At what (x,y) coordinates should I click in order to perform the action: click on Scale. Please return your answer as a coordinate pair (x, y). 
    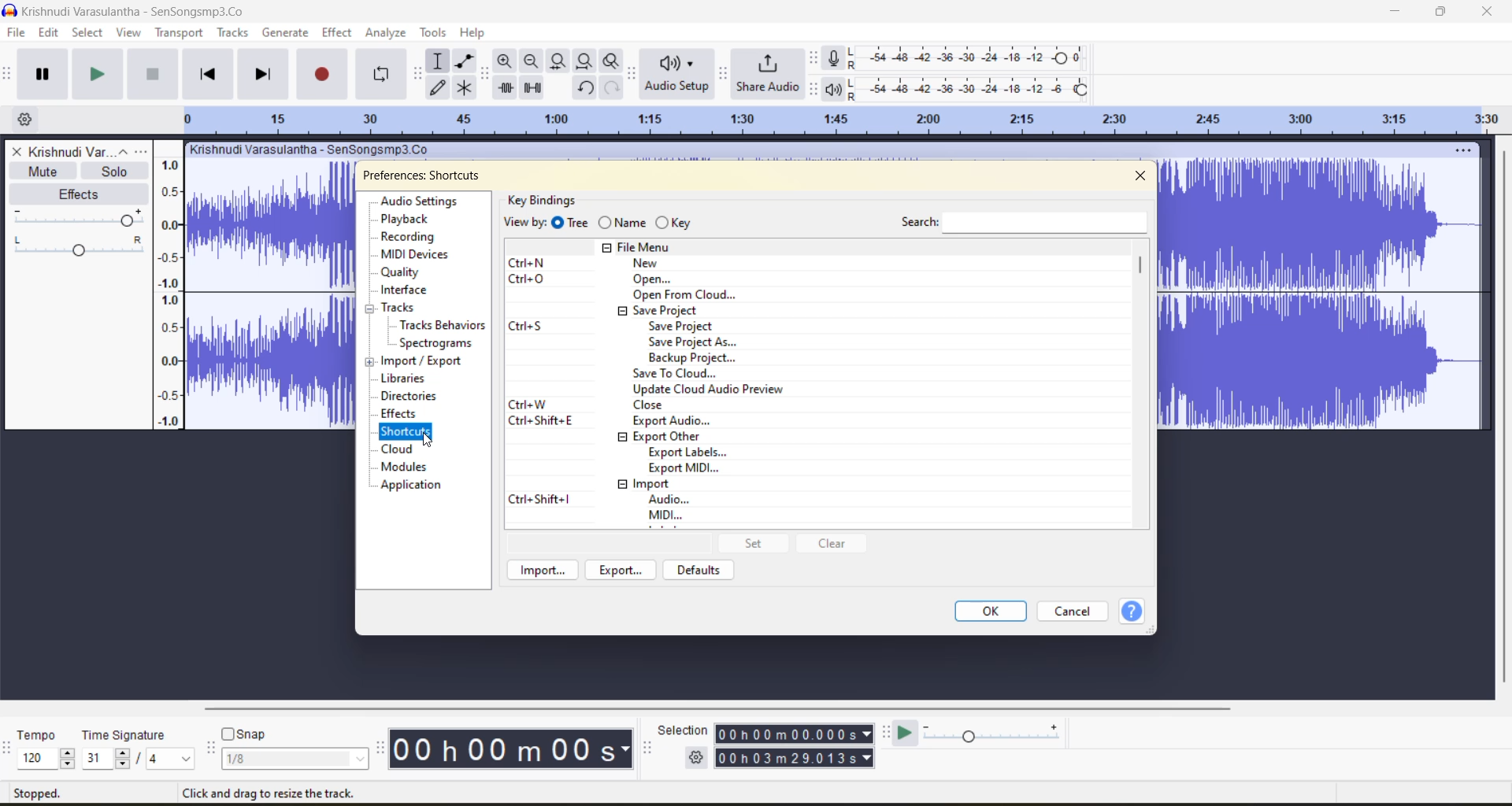
    Looking at the image, I should click on (842, 119).